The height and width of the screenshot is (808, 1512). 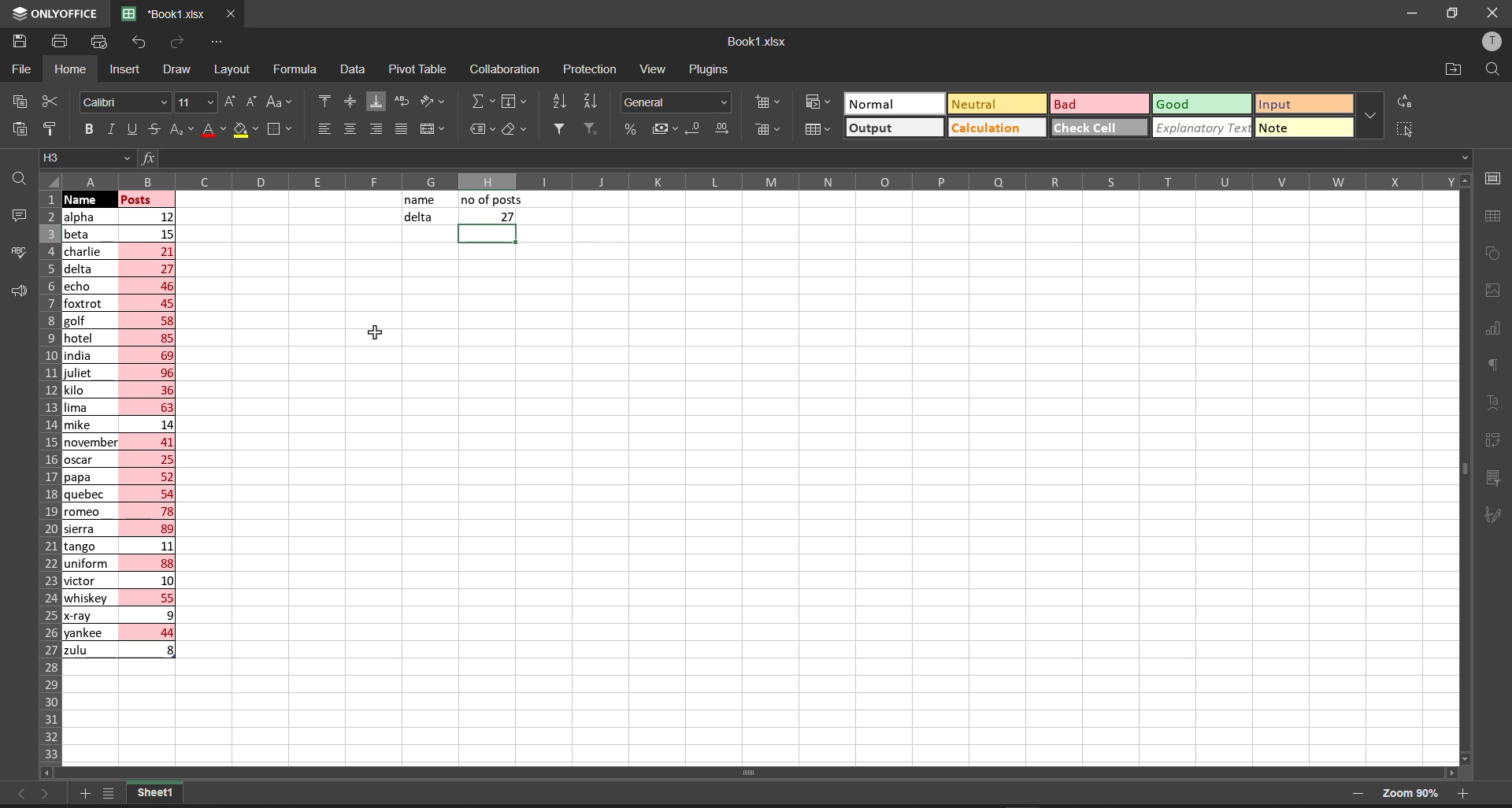 What do you see at coordinates (50, 180) in the screenshot?
I see `select all` at bounding box center [50, 180].